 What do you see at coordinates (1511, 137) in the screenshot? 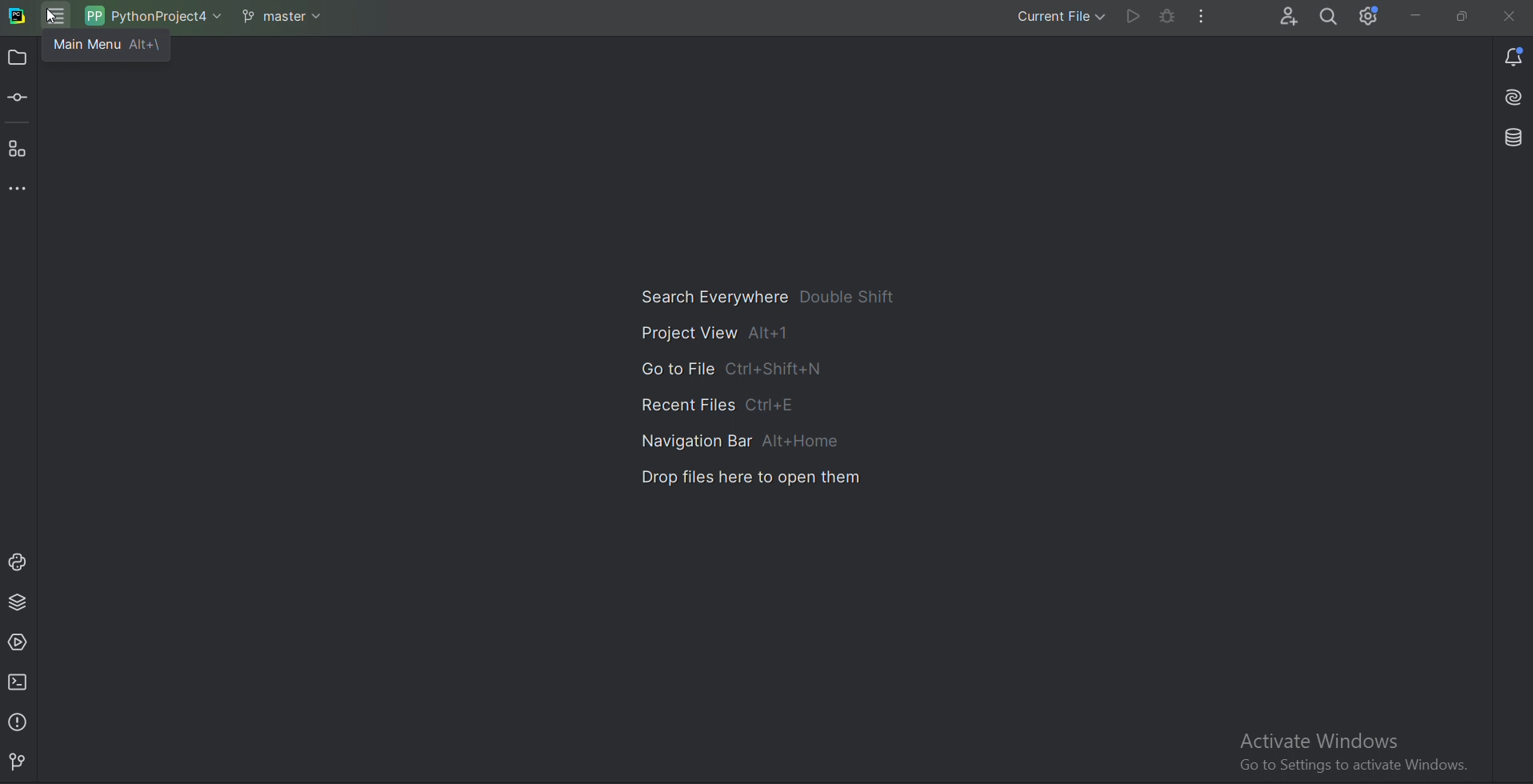
I see `Databse` at bounding box center [1511, 137].